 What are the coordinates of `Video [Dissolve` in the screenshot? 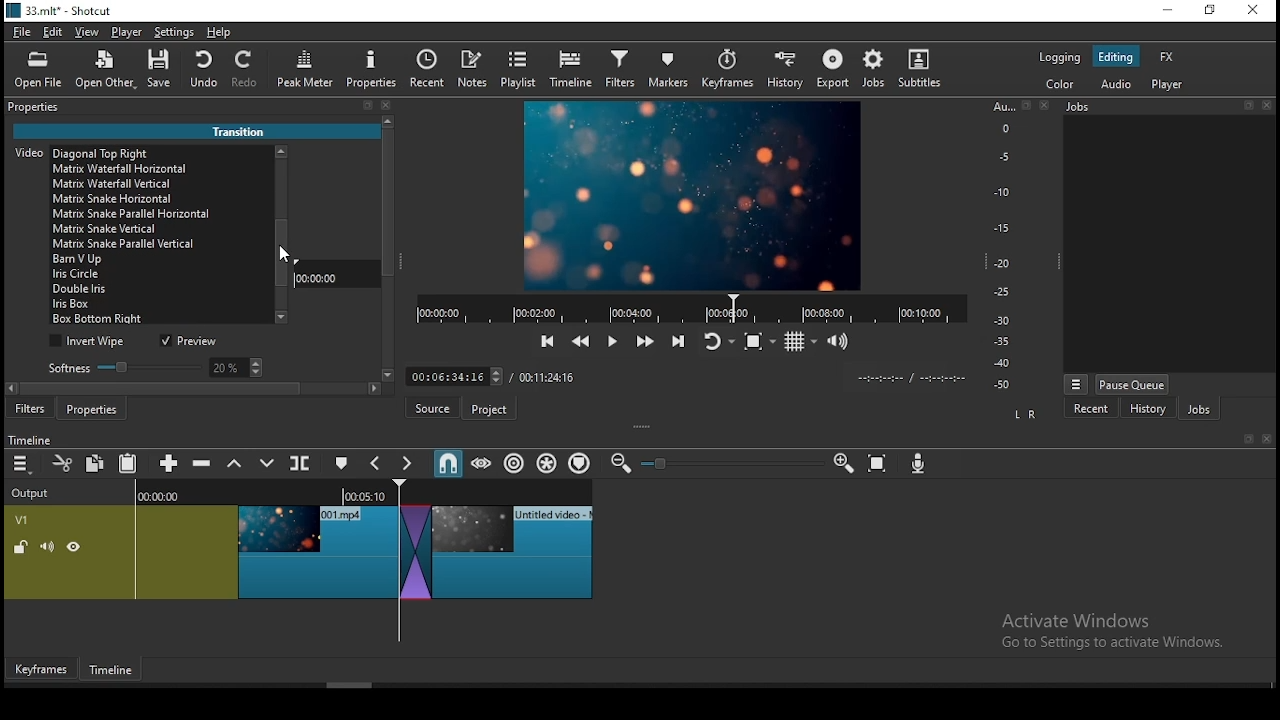 It's located at (86, 151).